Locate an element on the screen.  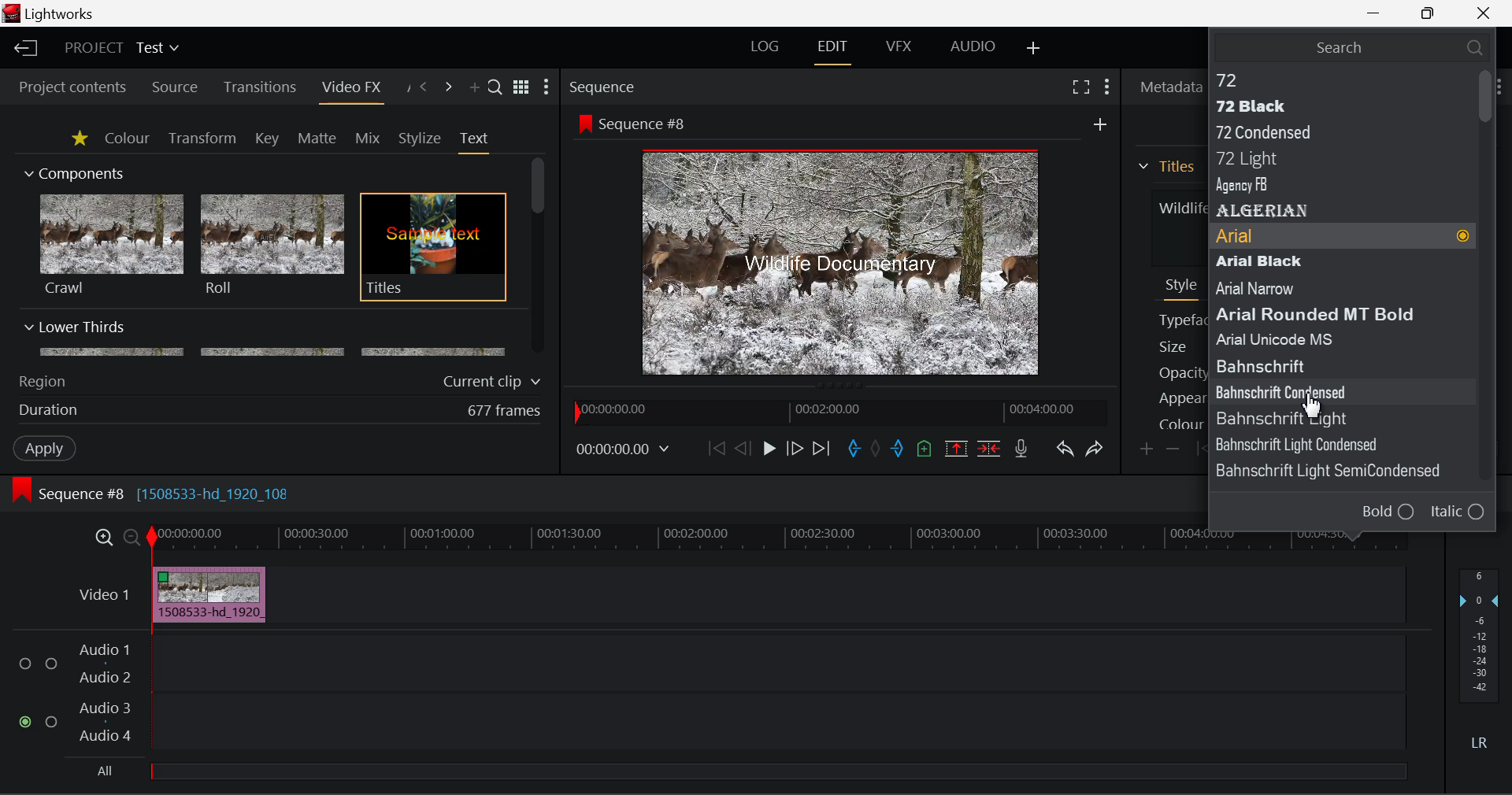
ALGERIAN is located at coordinates (1331, 211).